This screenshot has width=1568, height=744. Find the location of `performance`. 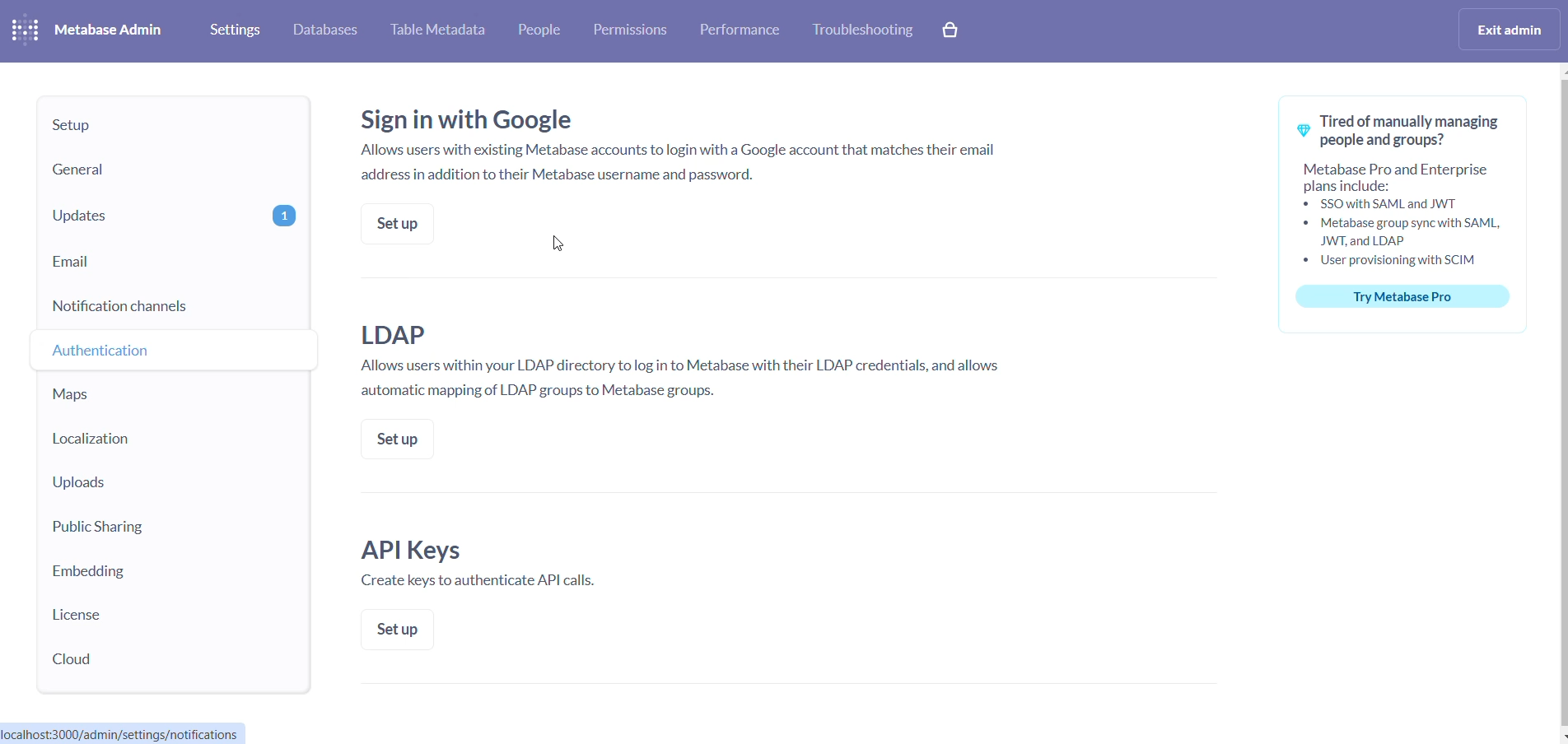

performance is located at coordinates (738, 30).